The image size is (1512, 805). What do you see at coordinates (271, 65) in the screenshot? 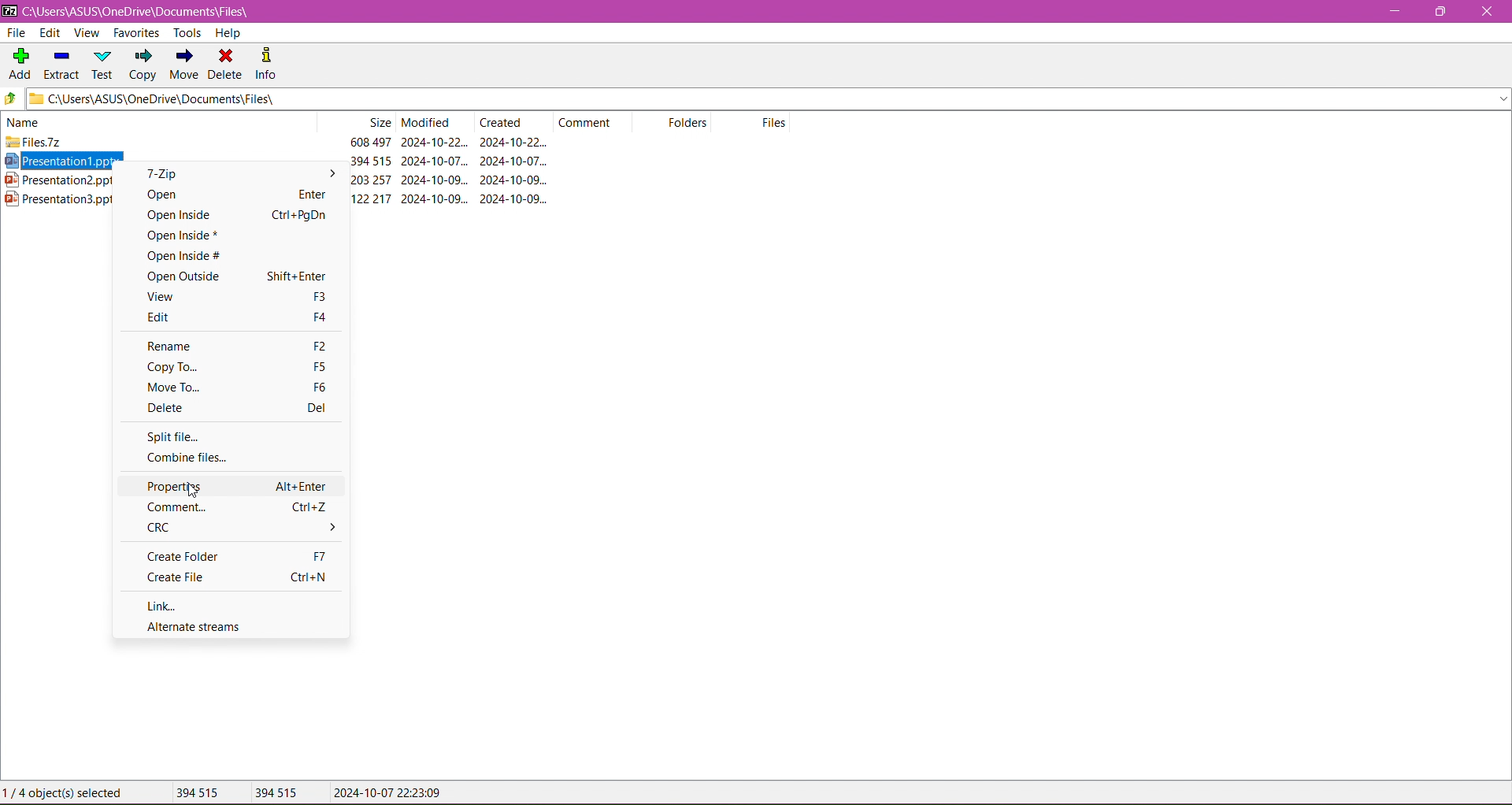
I see `Info` at bounding box center [271, 65].